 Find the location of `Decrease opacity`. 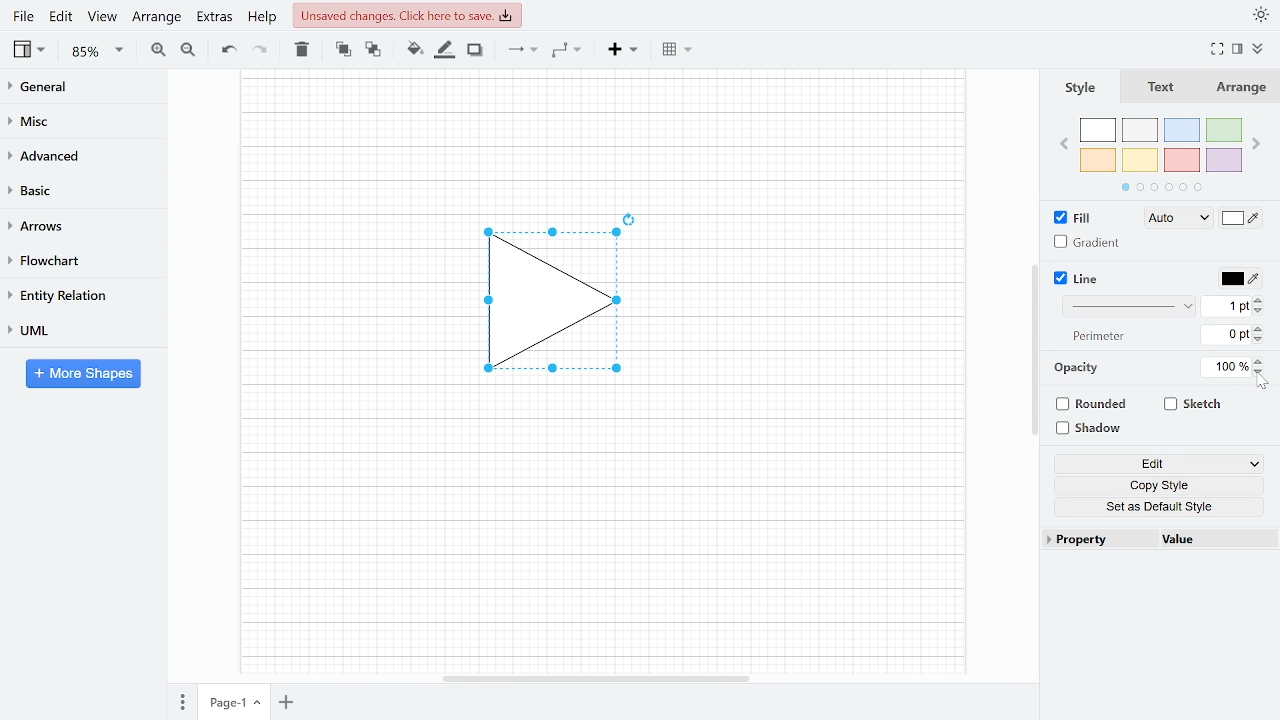

Decrease opacity is located at coordinates (1261, 372).